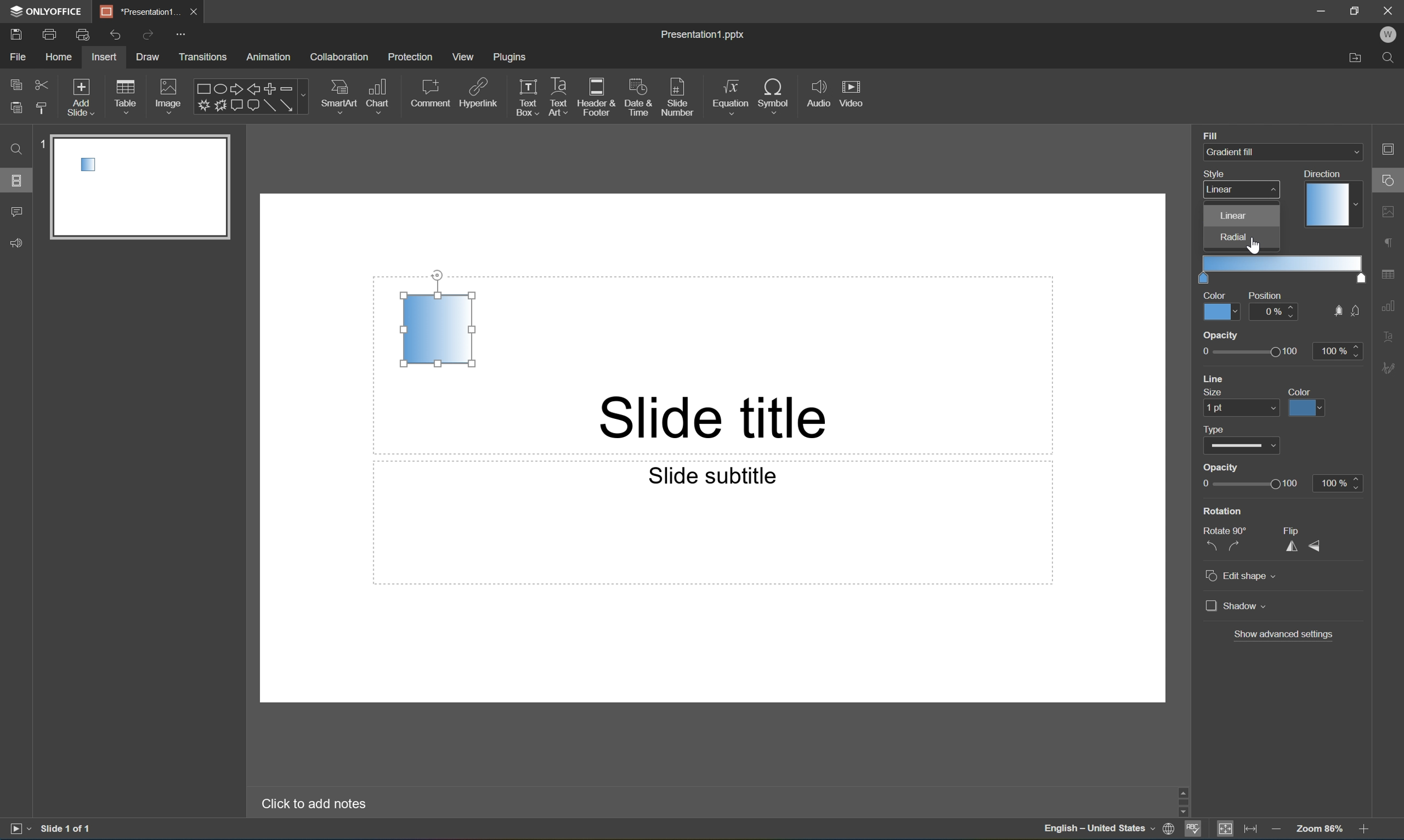  What do you see at coordinates (1241, 448) in the screenshot?
I see `Type` at bounding box center [1241, 448].